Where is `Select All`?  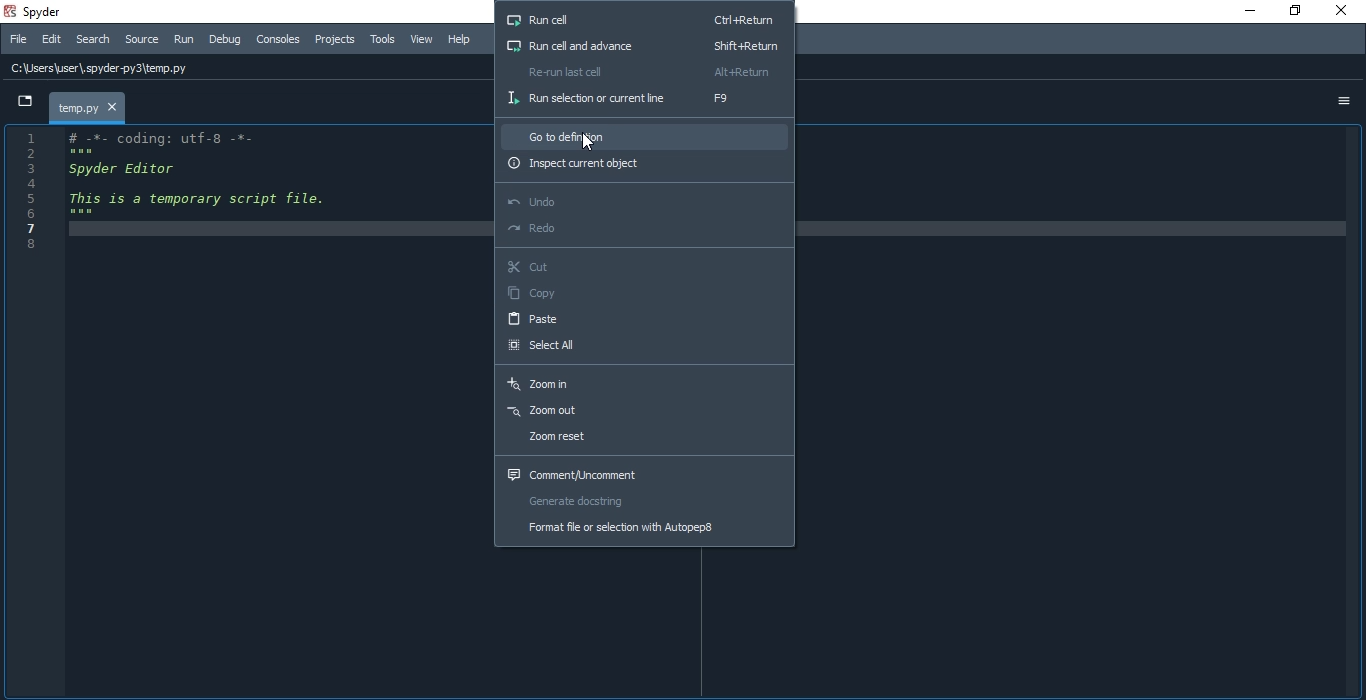 Select All is located at coordinates (645, 347).